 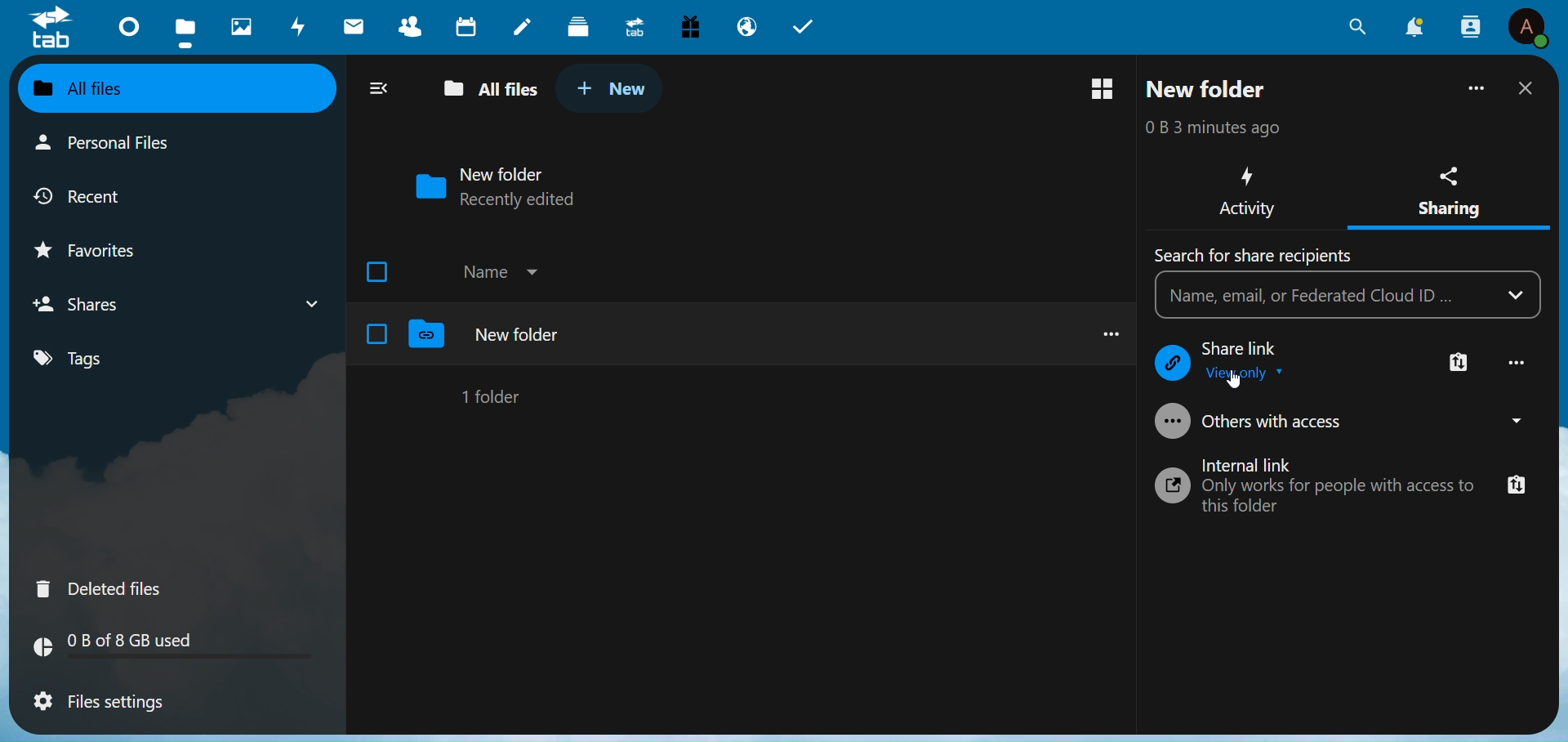 What do you see at coordinates (534, 269) in the screenshot?
I see `Drop Down` at bounding box center [534, 269].